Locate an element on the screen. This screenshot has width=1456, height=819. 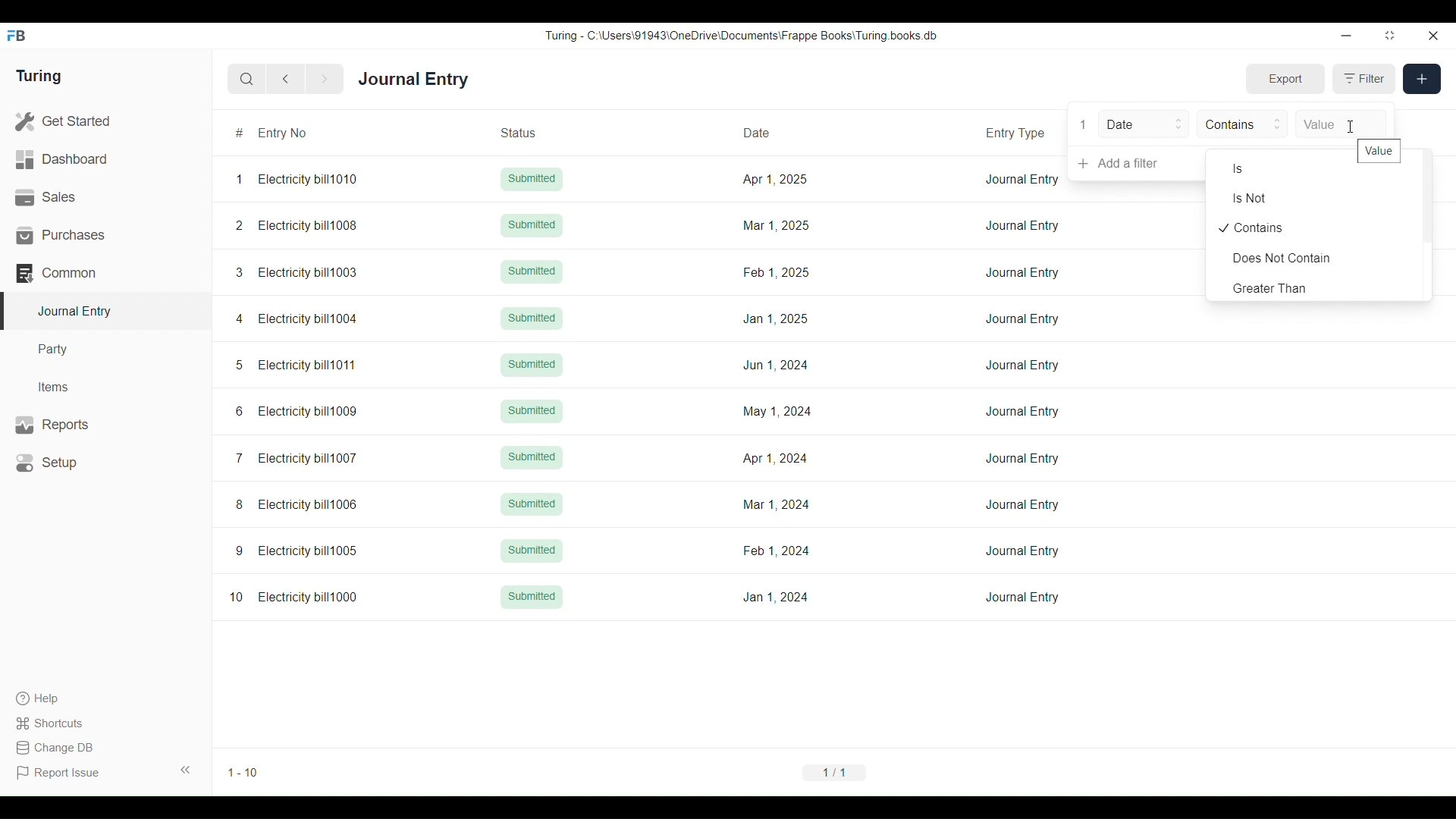
Submitted is located at coordinates (532, 365).